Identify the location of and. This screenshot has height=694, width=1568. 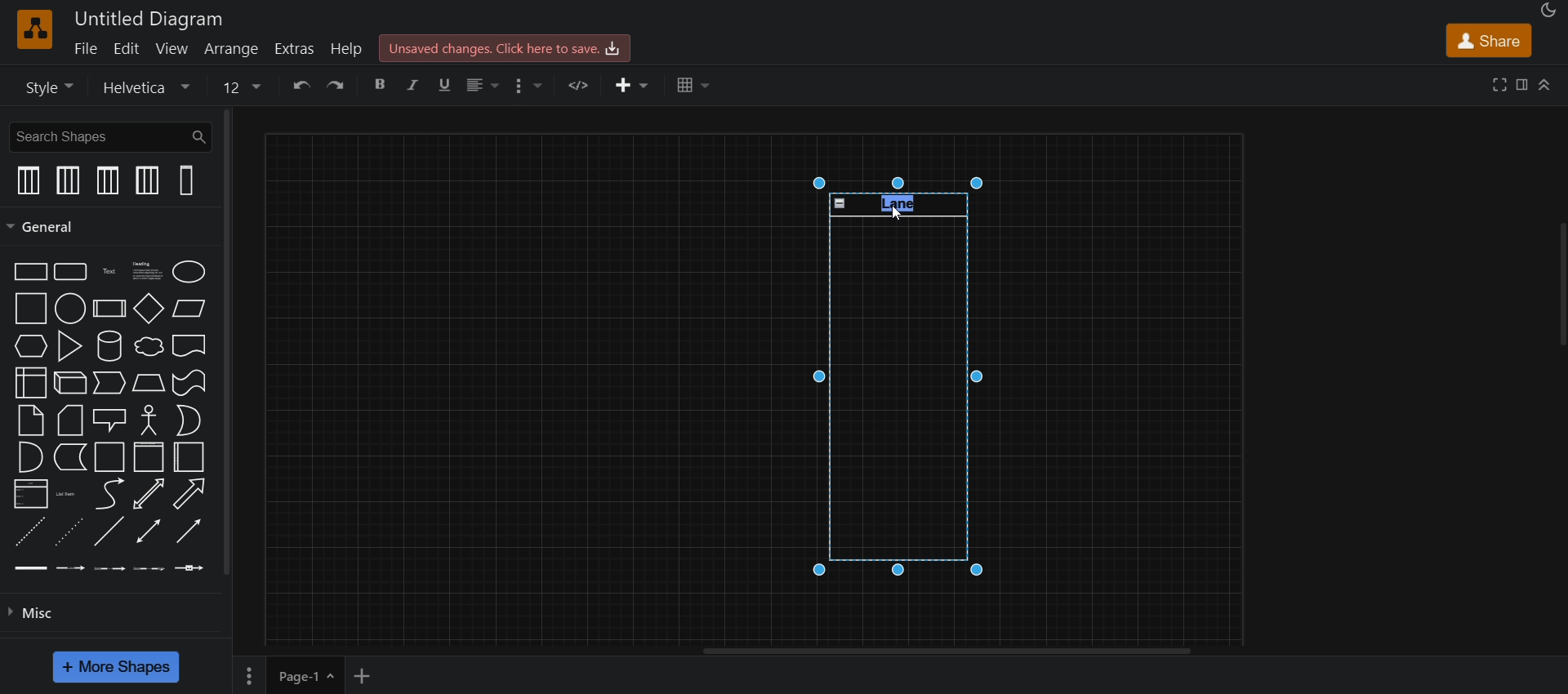
(30, 456).